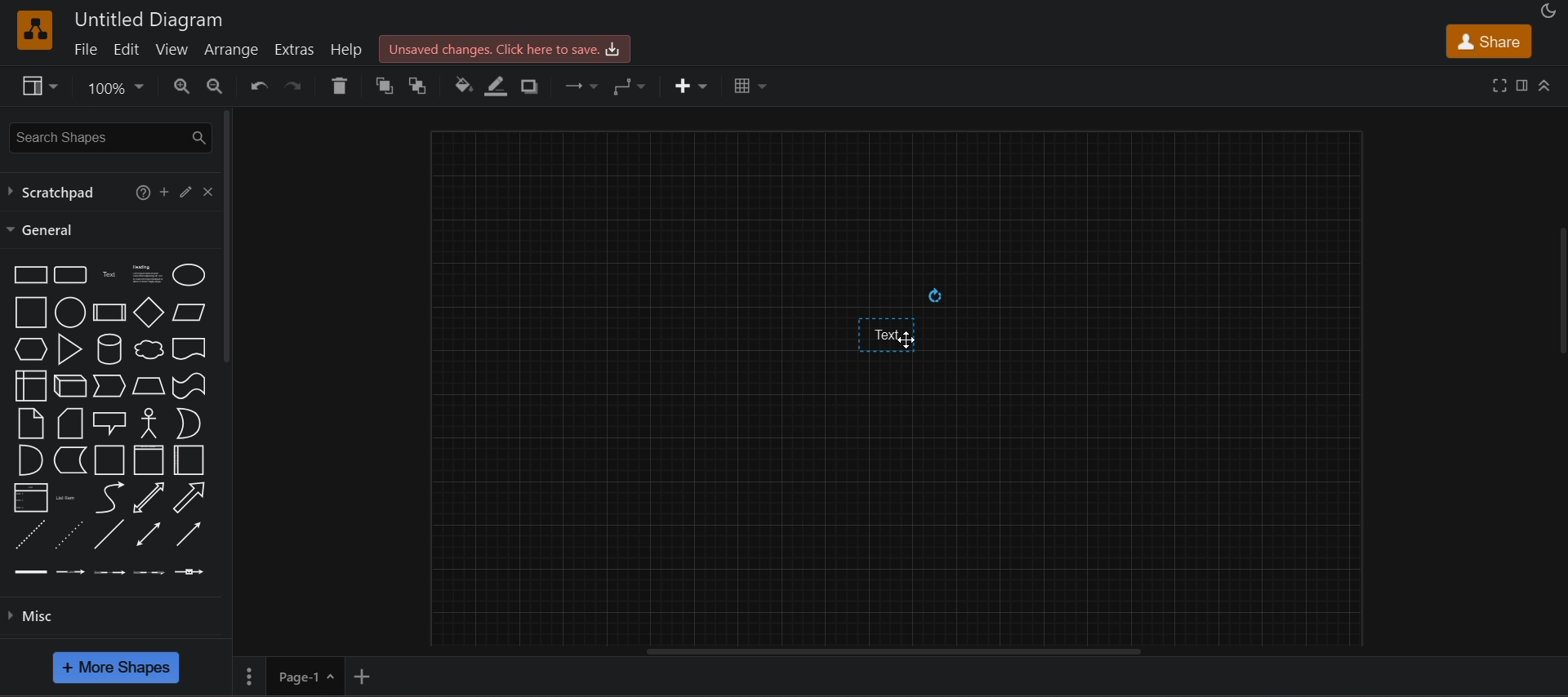 The height and width of the screenshot is (697, 1568). I want to click on Rotate, so click(935, 295).